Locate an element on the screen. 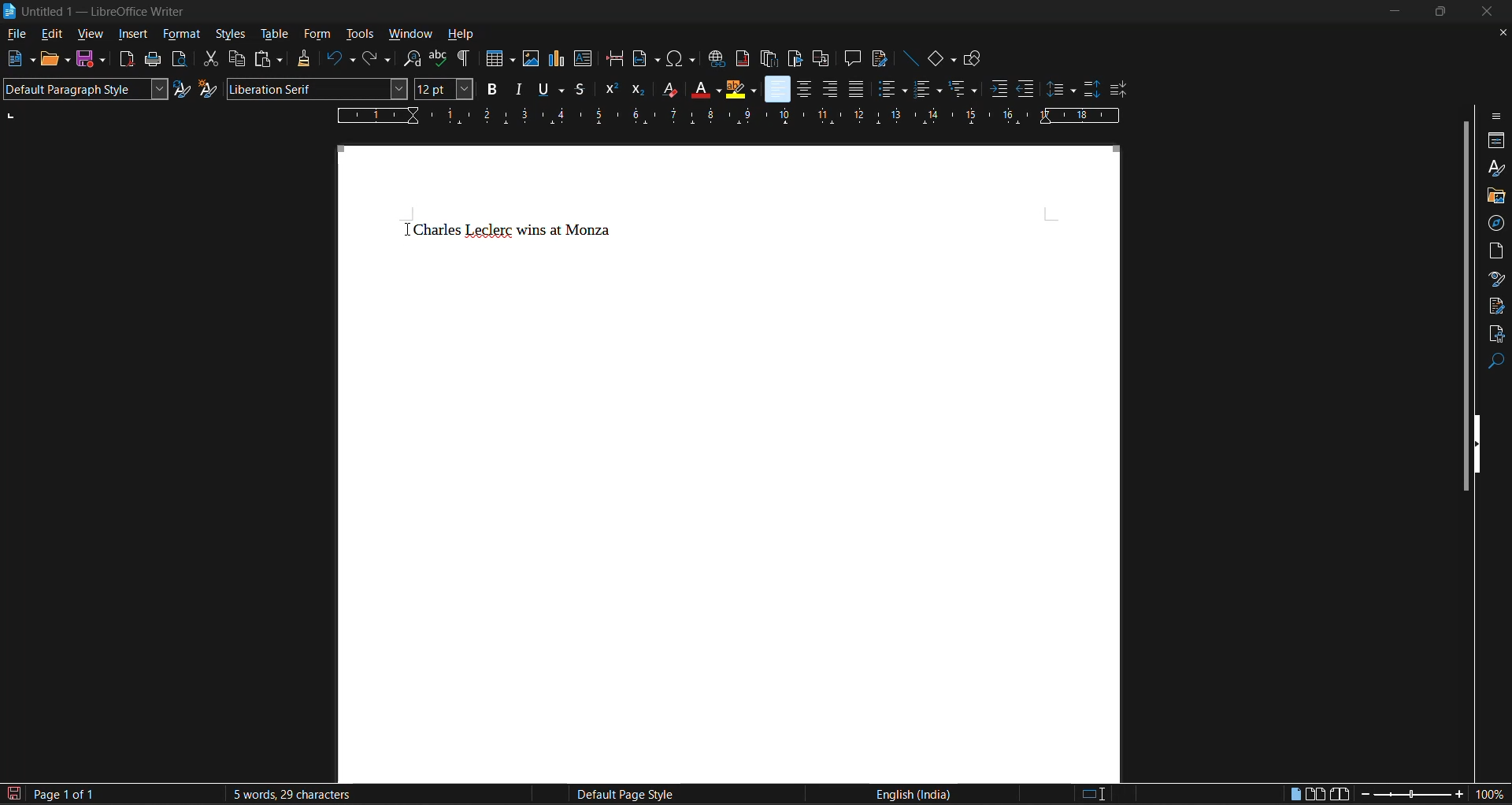  save is located at coordinates (96, 59).